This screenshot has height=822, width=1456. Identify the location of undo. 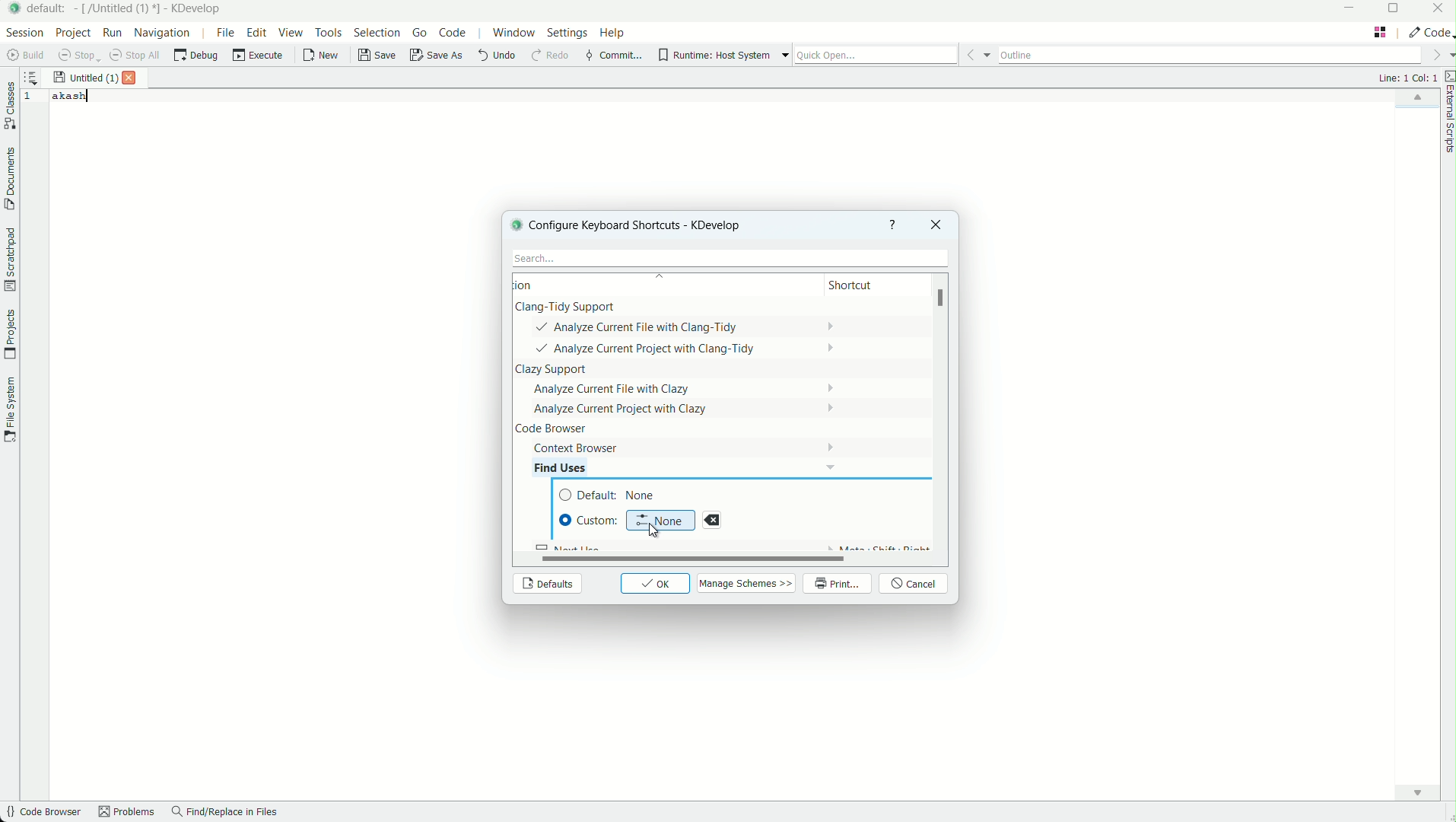
(495, 56).